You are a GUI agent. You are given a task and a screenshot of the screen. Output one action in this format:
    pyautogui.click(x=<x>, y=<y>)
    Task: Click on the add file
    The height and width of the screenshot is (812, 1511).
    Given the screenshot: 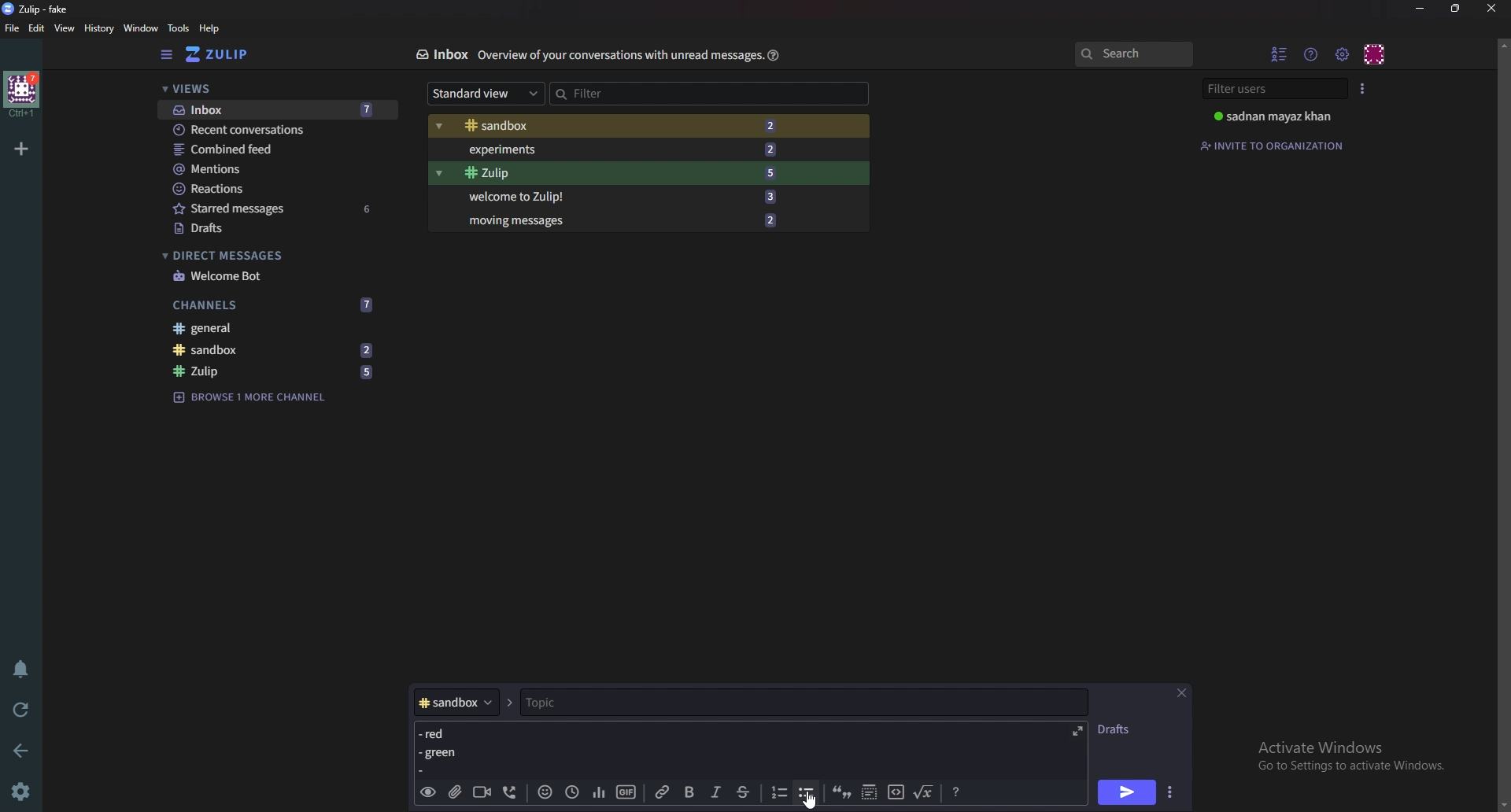 What is the action you would take?
    pyautogui.click(x=454, y=792)
    